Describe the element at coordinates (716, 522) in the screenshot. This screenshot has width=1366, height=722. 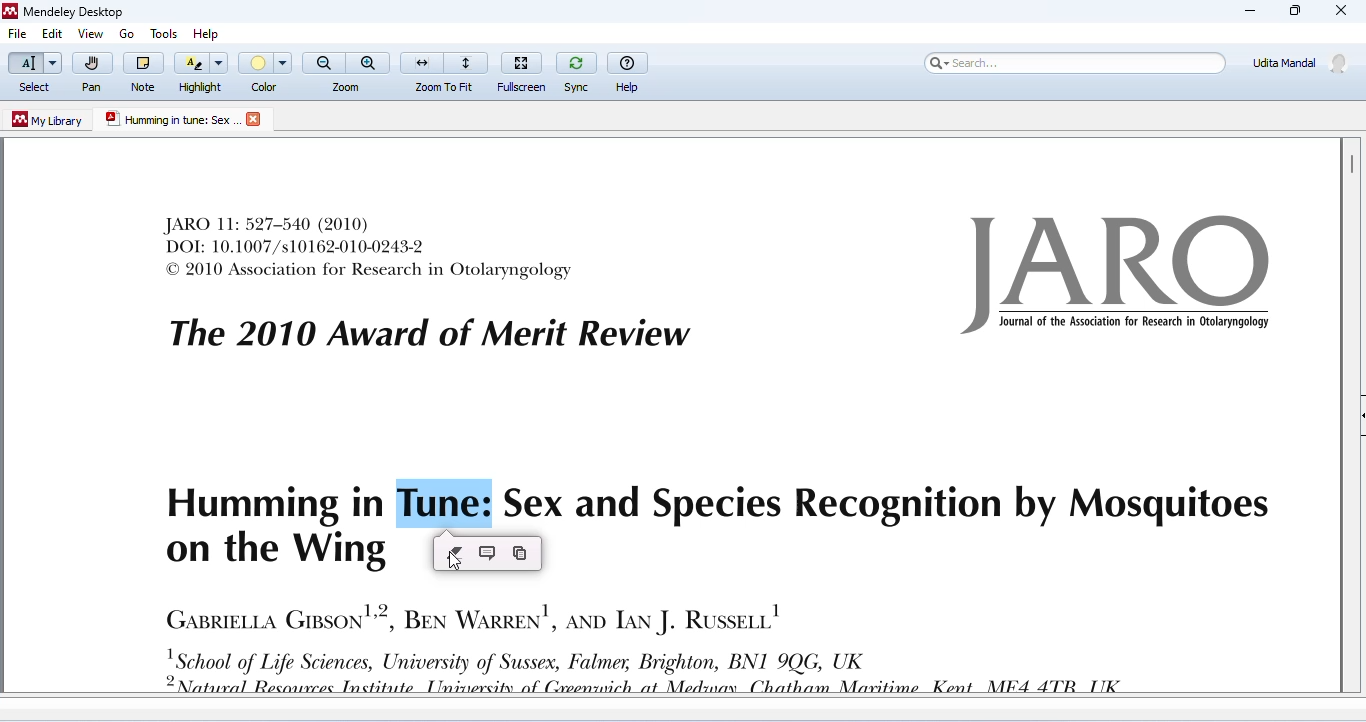
I see `Humming in Tune; Sex and Species Recognition by Mosquitoes on the Wing` at that location.